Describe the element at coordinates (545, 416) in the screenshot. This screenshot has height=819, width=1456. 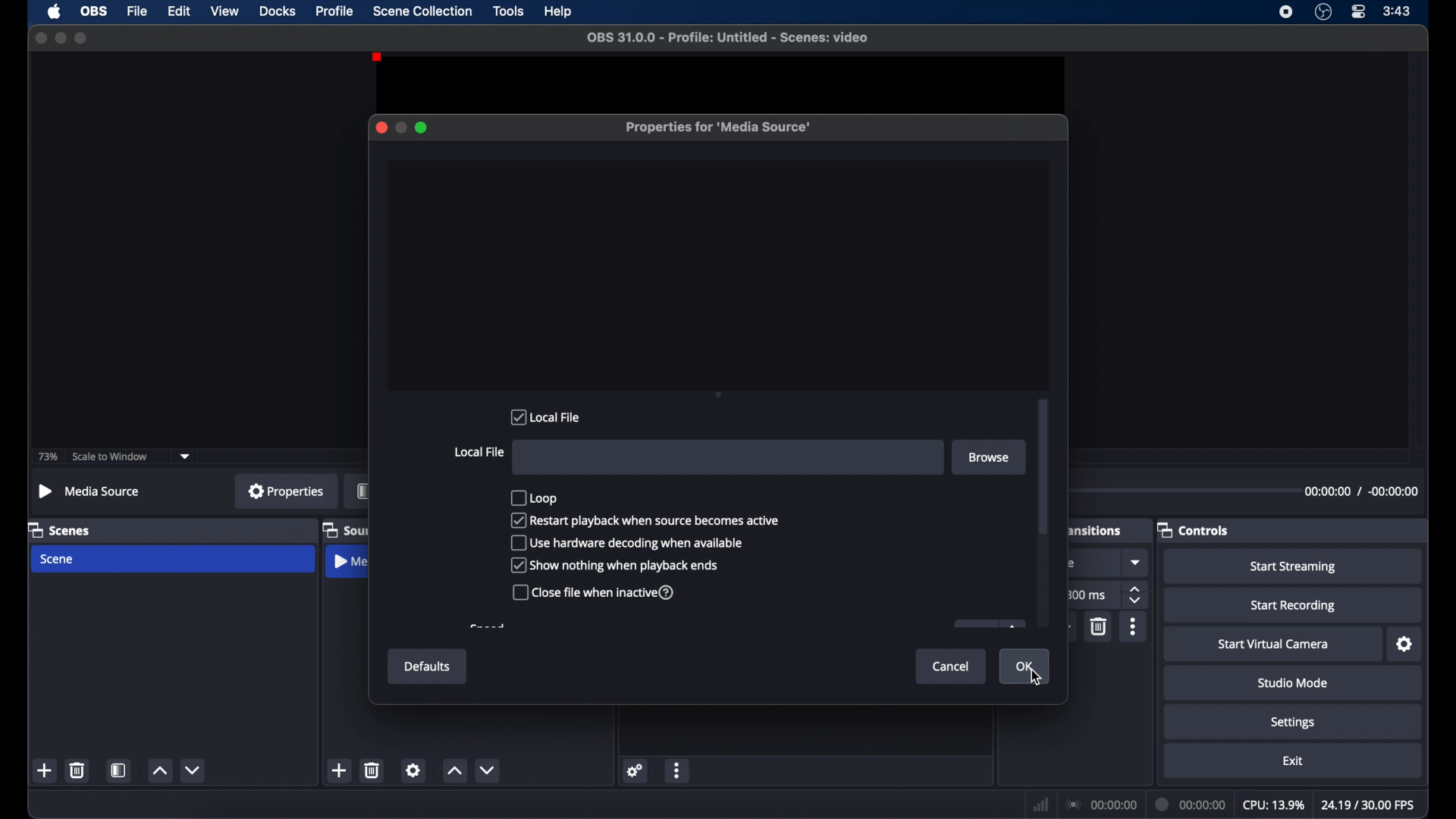
I see `local file` at that location.